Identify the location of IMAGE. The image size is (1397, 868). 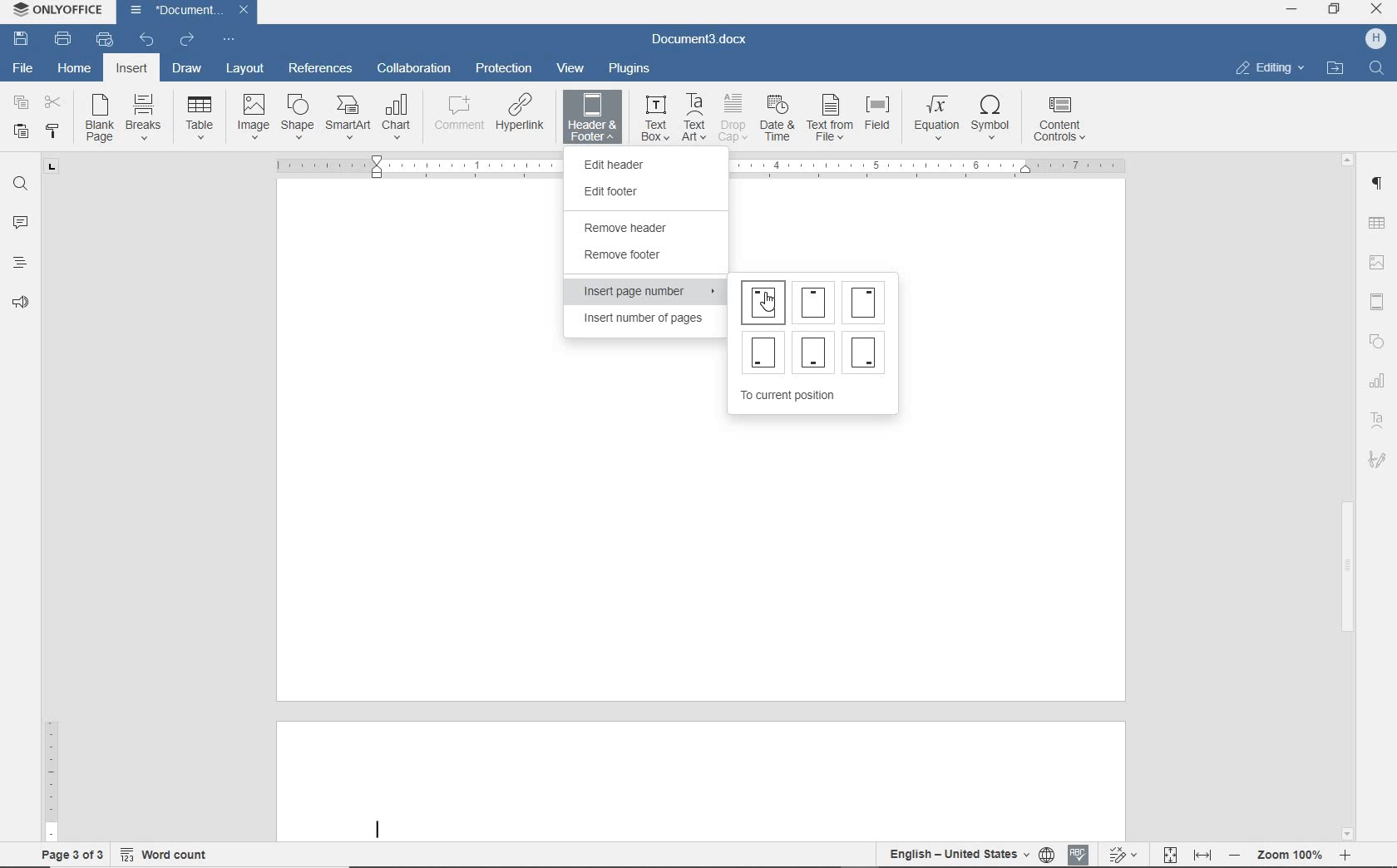
(1379, 264).